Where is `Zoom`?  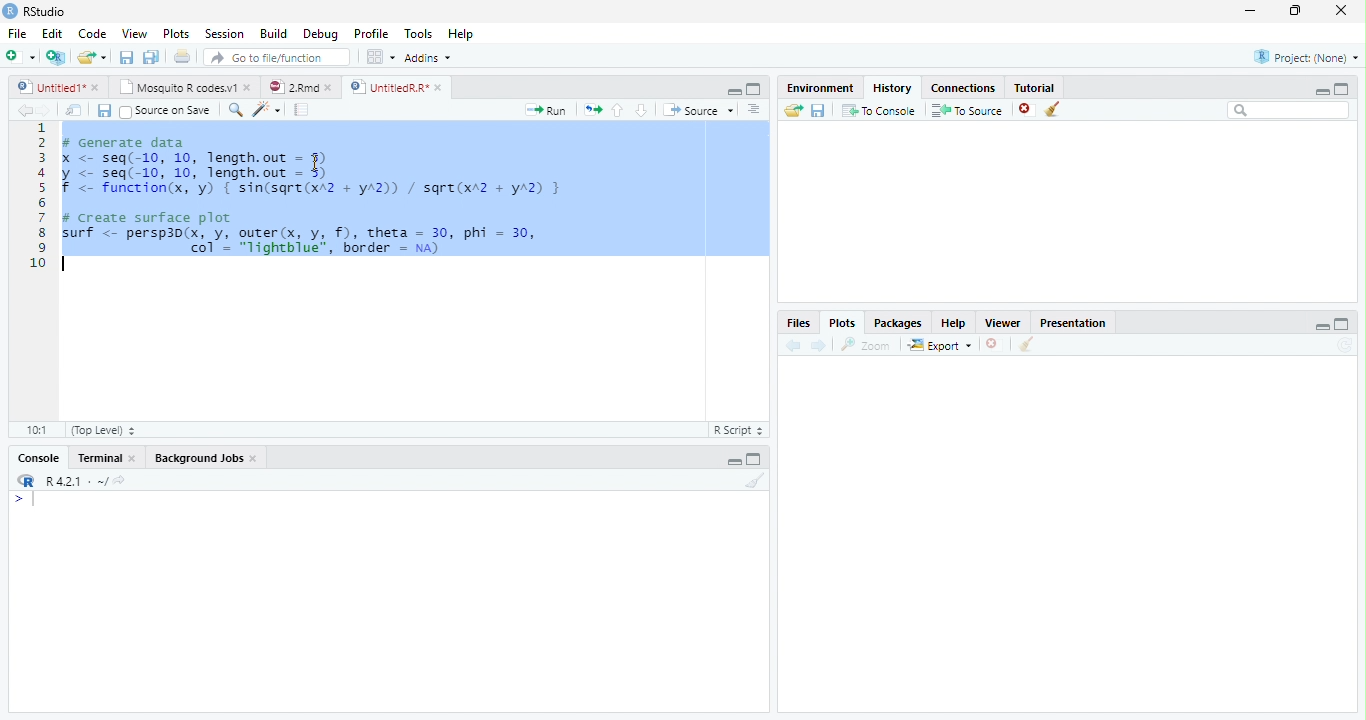 Zoom is located at coordinates (865, 345).